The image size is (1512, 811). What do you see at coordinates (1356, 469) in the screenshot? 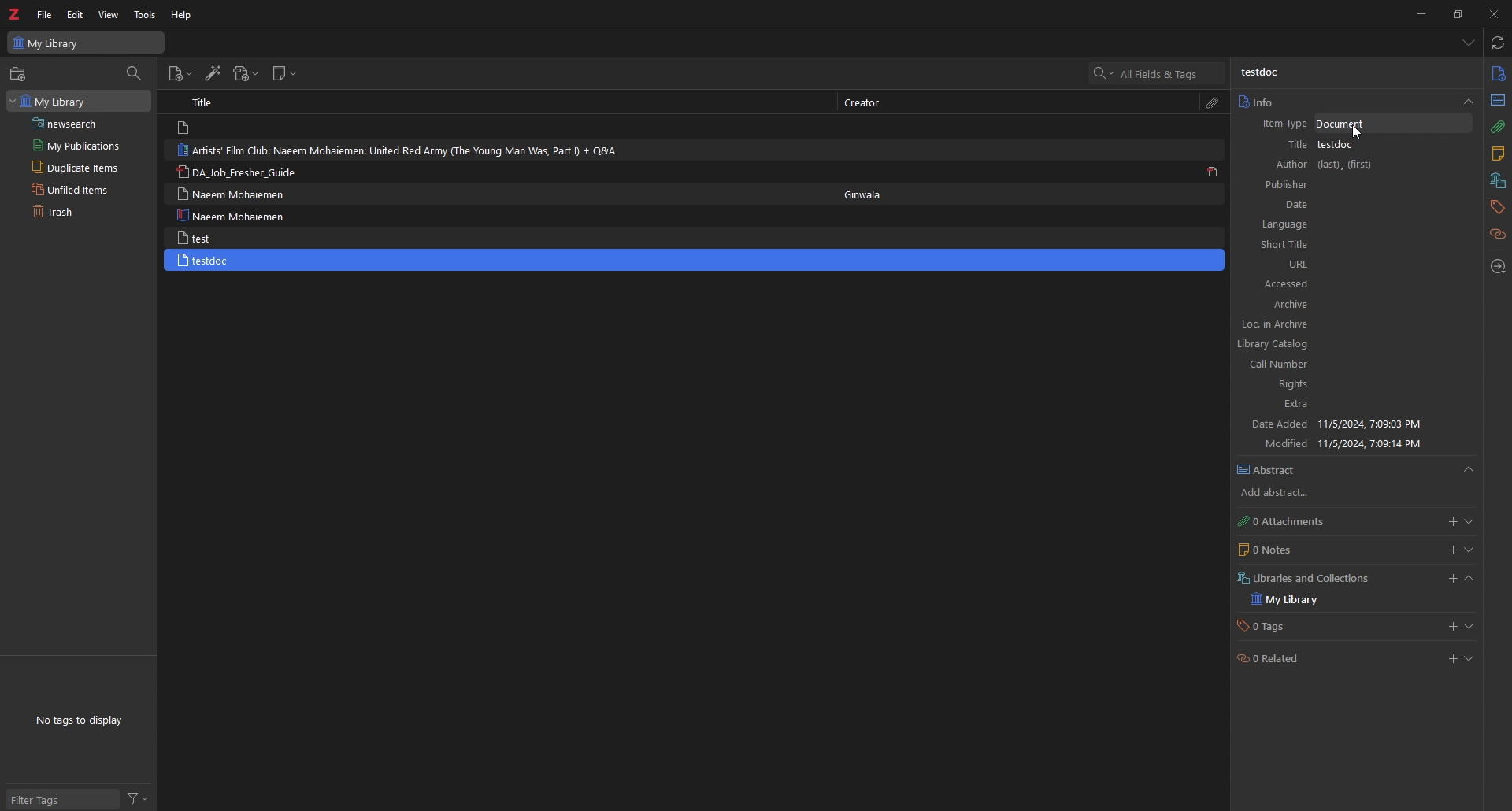
I see `abstract` at bounding box center [1356, 469].